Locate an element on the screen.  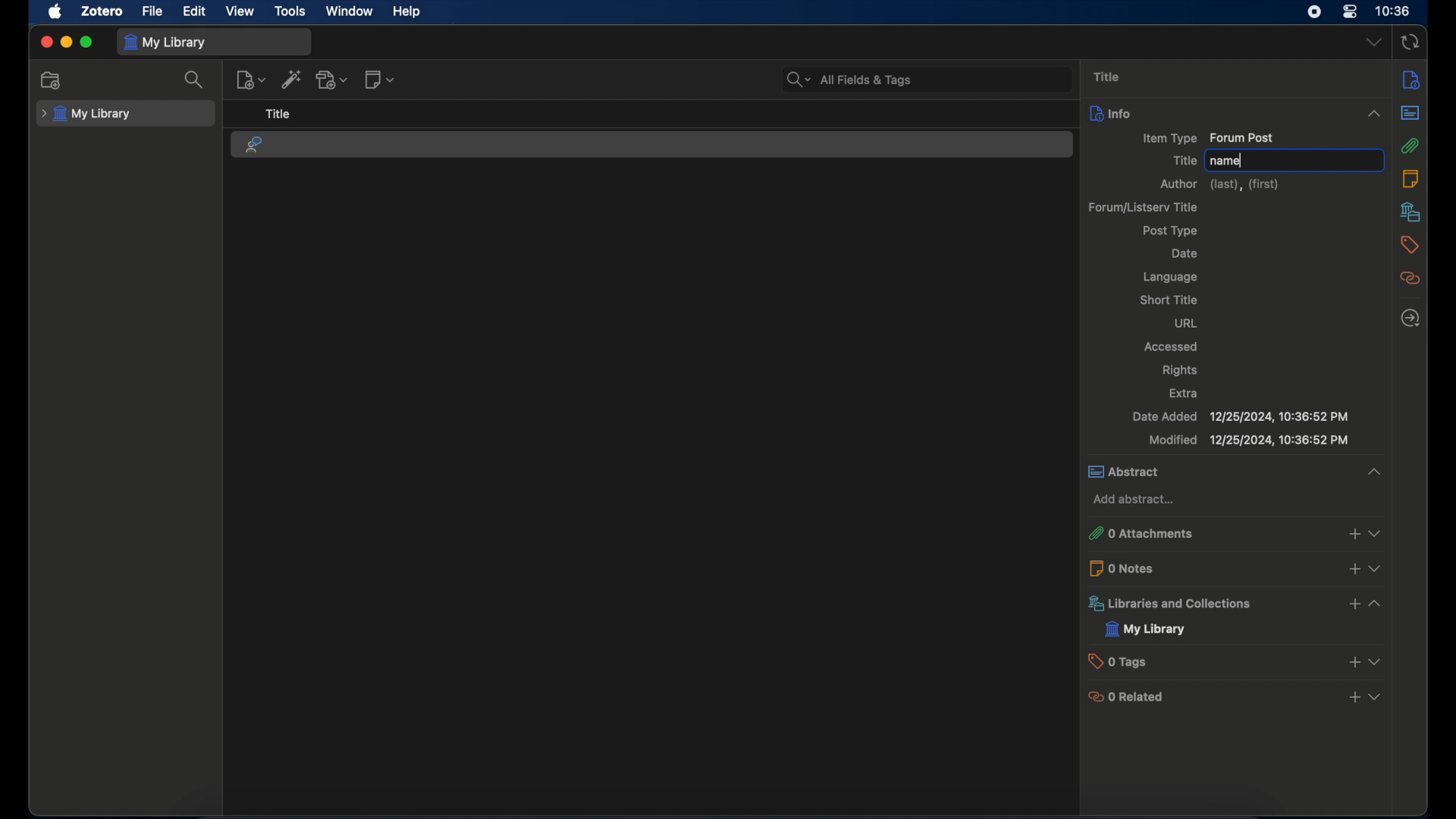
short title is located at coordinates (1169, 300).